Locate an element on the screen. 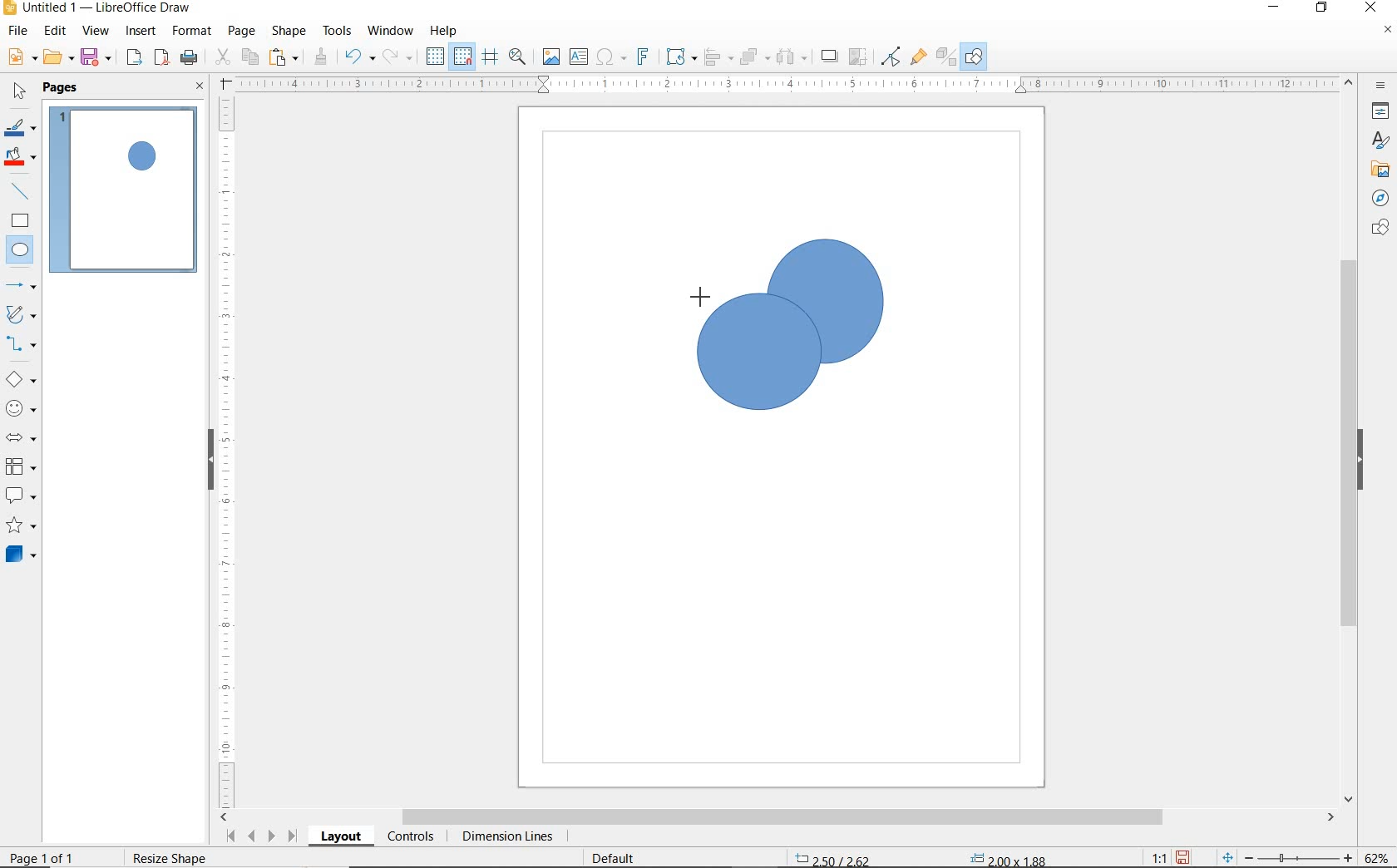 This screenshot has height=868, width=1397. 3D OBJECTS is located at coordinates (19, 556).